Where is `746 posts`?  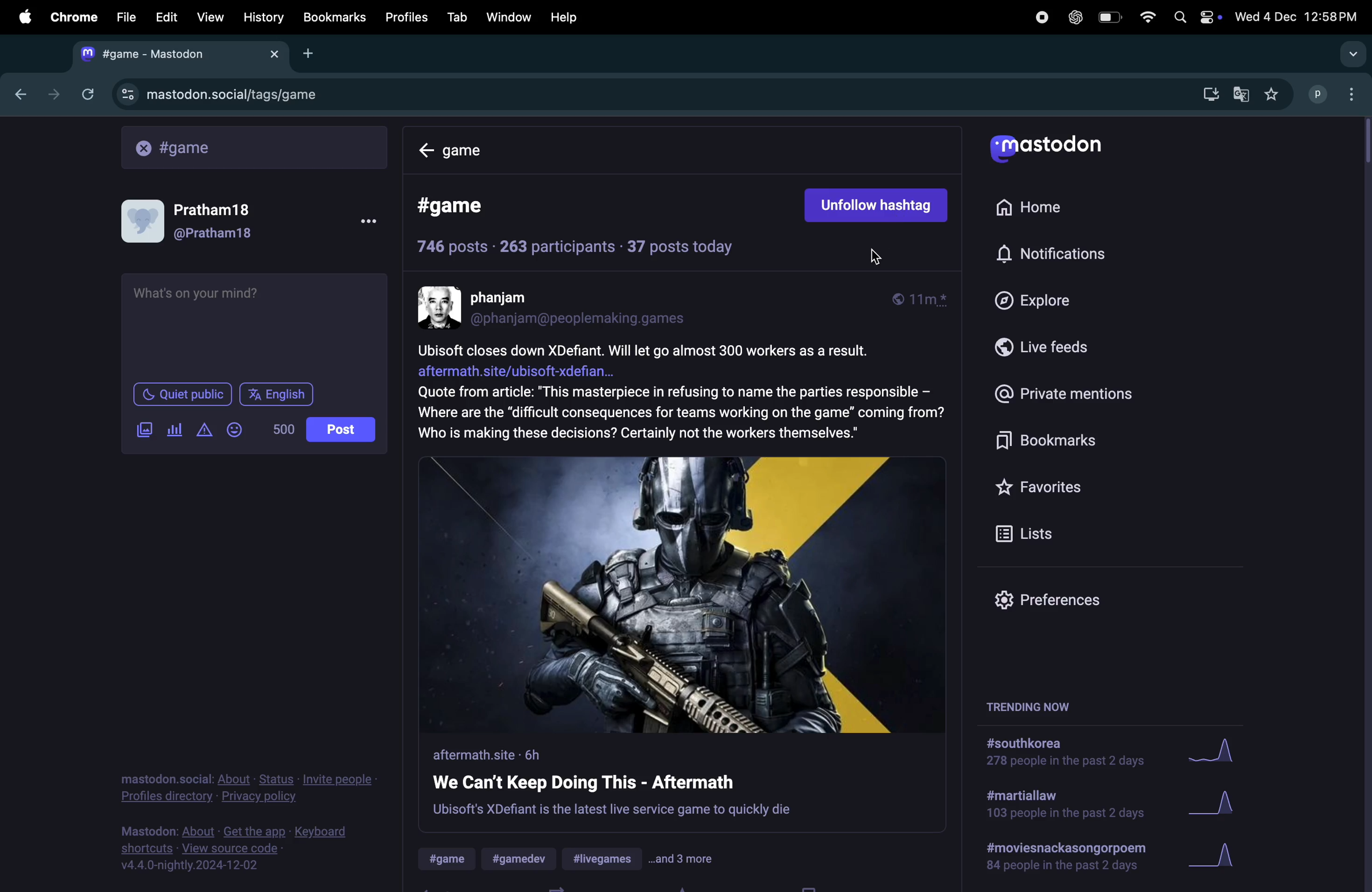
746 posts is located at coordinates (453, 247).